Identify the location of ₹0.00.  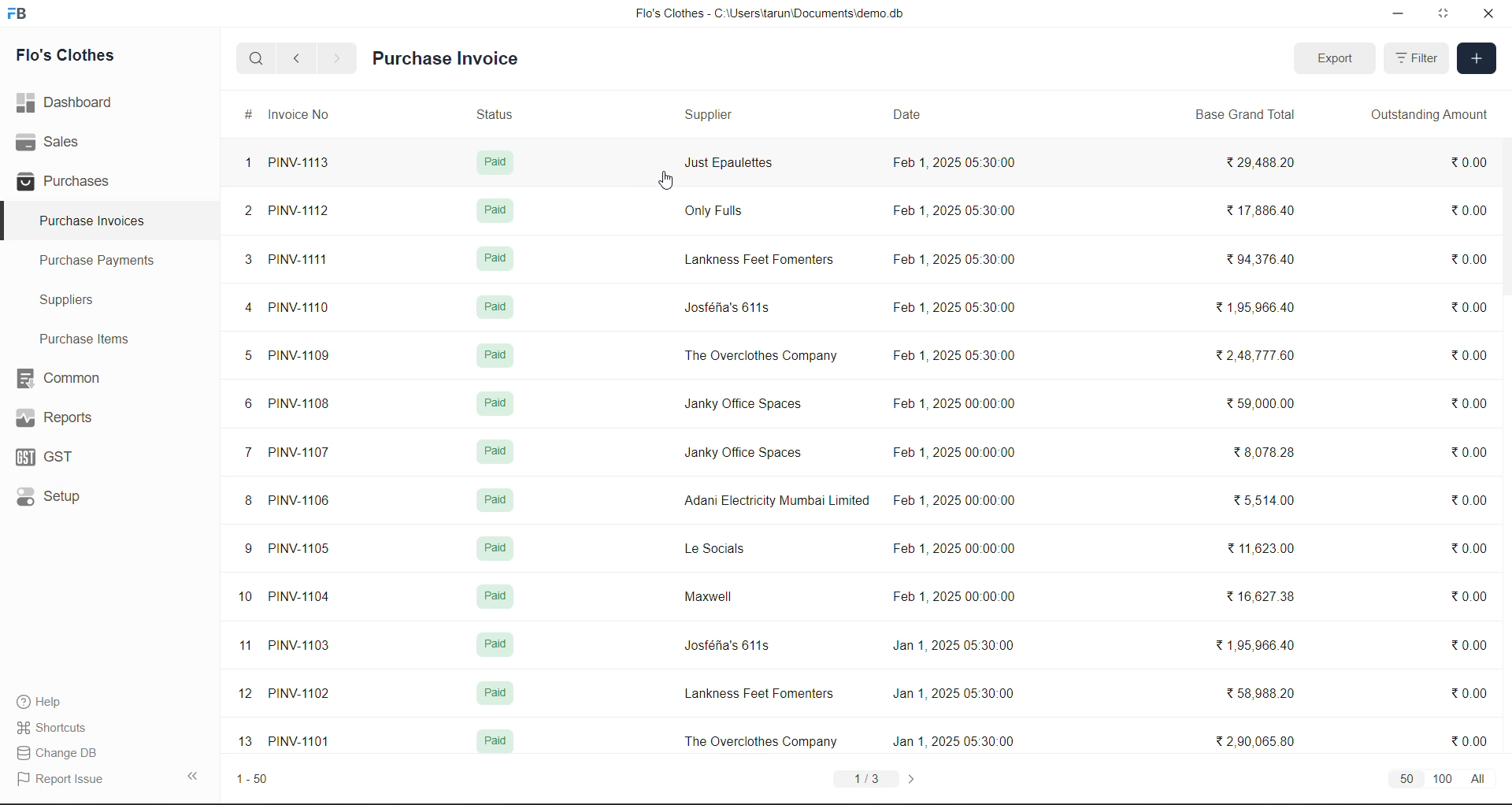
(1472, 453).